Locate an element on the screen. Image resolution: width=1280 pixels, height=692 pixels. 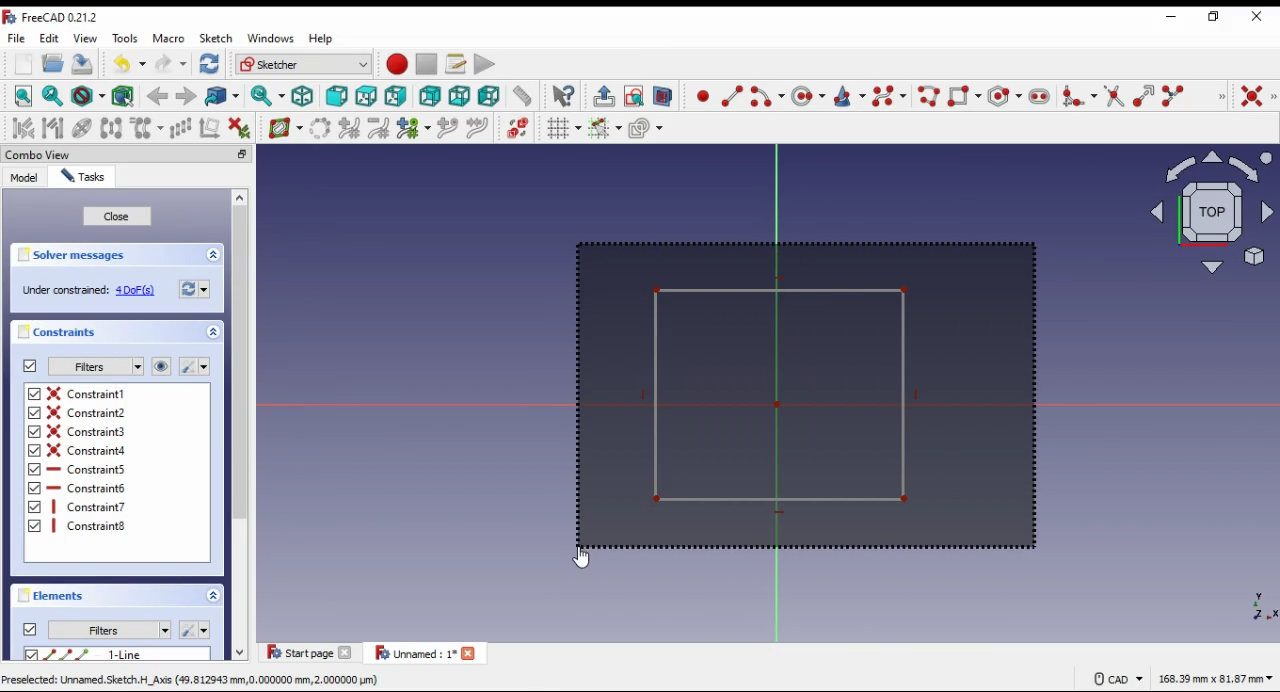
filter is located at coordinates (95, 367).